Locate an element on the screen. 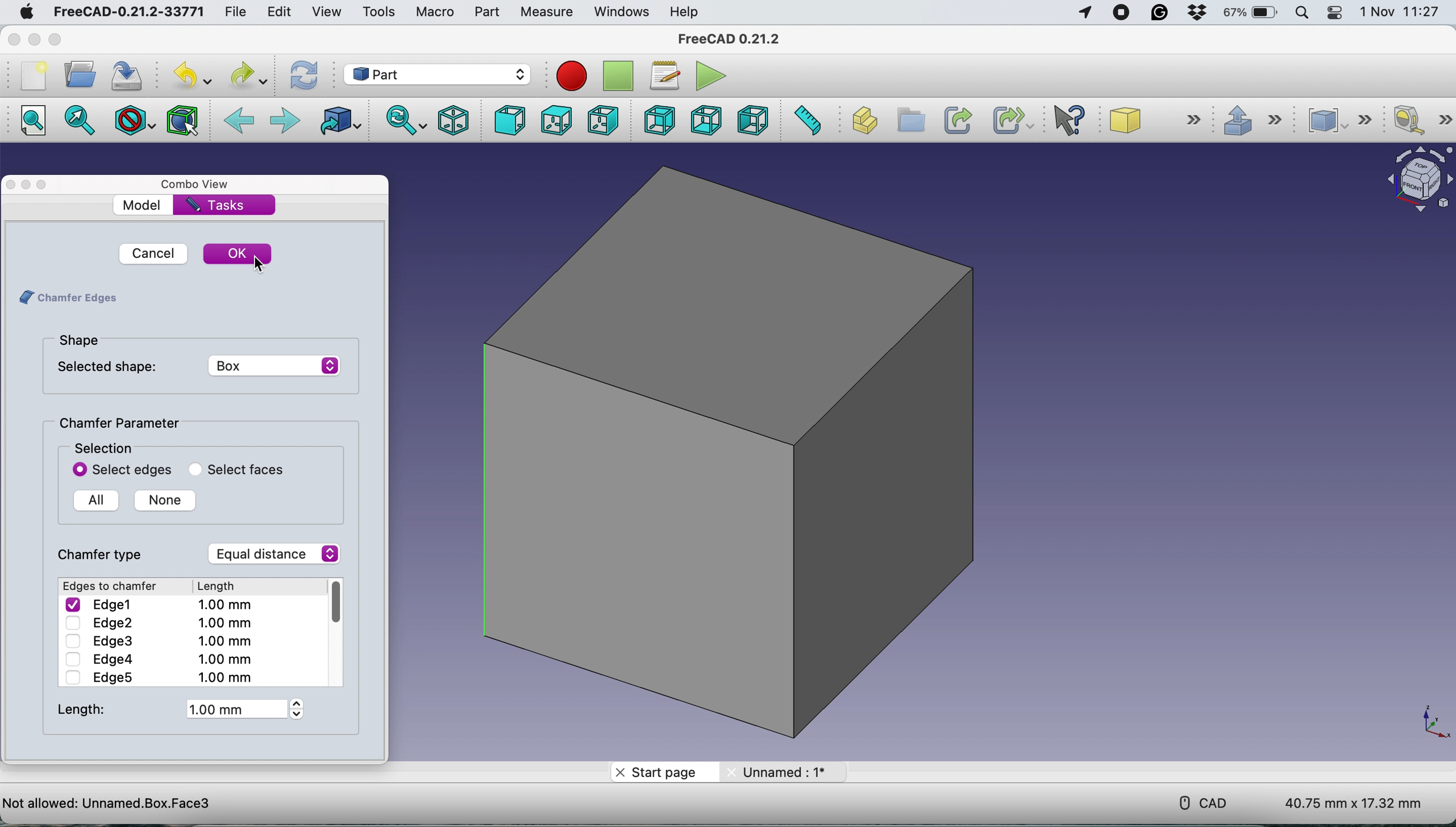 This screenshot has height=827, width=1456. measure is located at coordinates (550, 12).